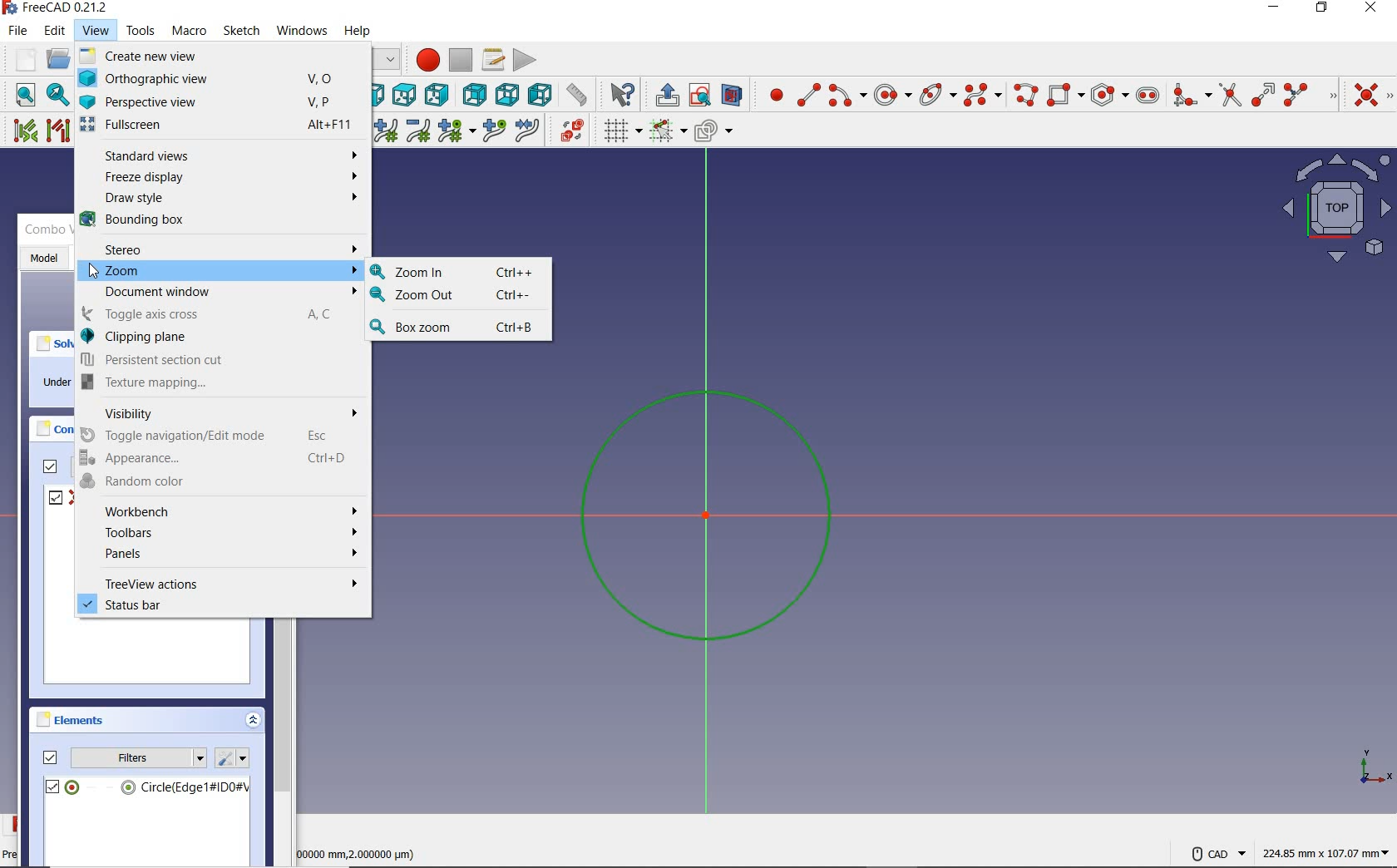  Describe the element at coordinates (222, 484) in the screenshot. I see `Random color` at that location.